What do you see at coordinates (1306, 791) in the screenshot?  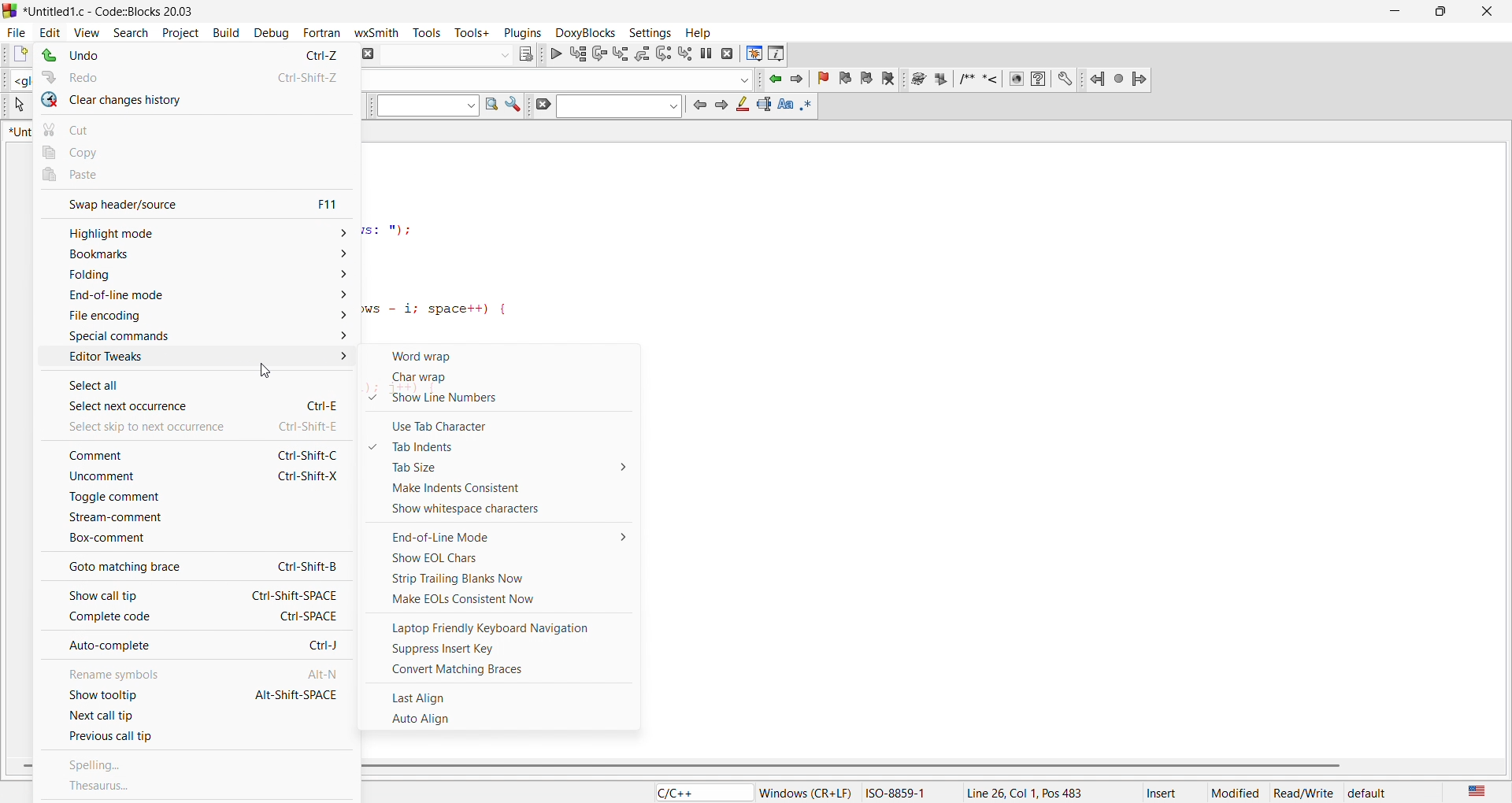 I see `read/write` at bounding box center [1306, 791].